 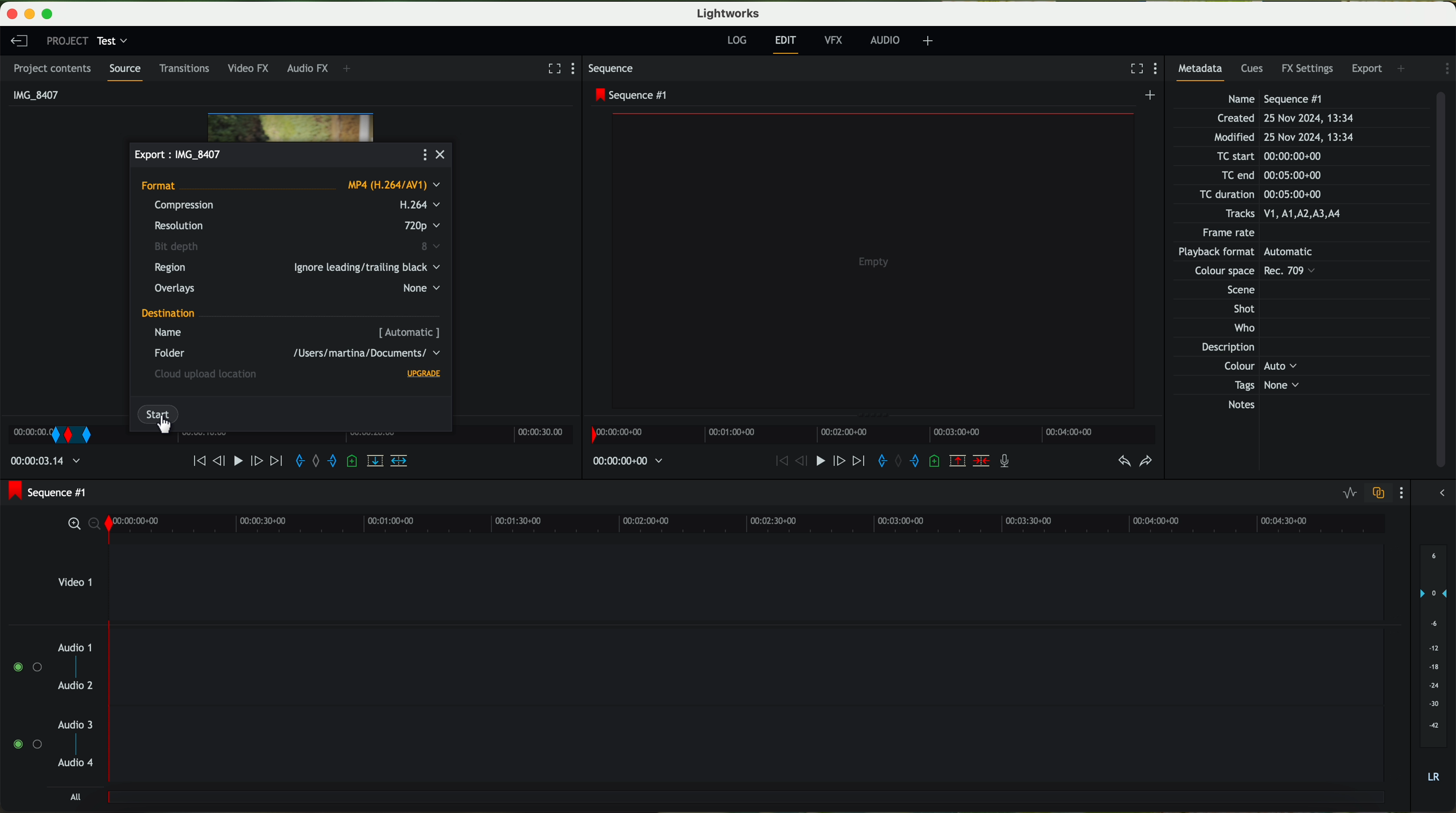 I want to click on nudge one frame forward, so click(x=259, y=462).